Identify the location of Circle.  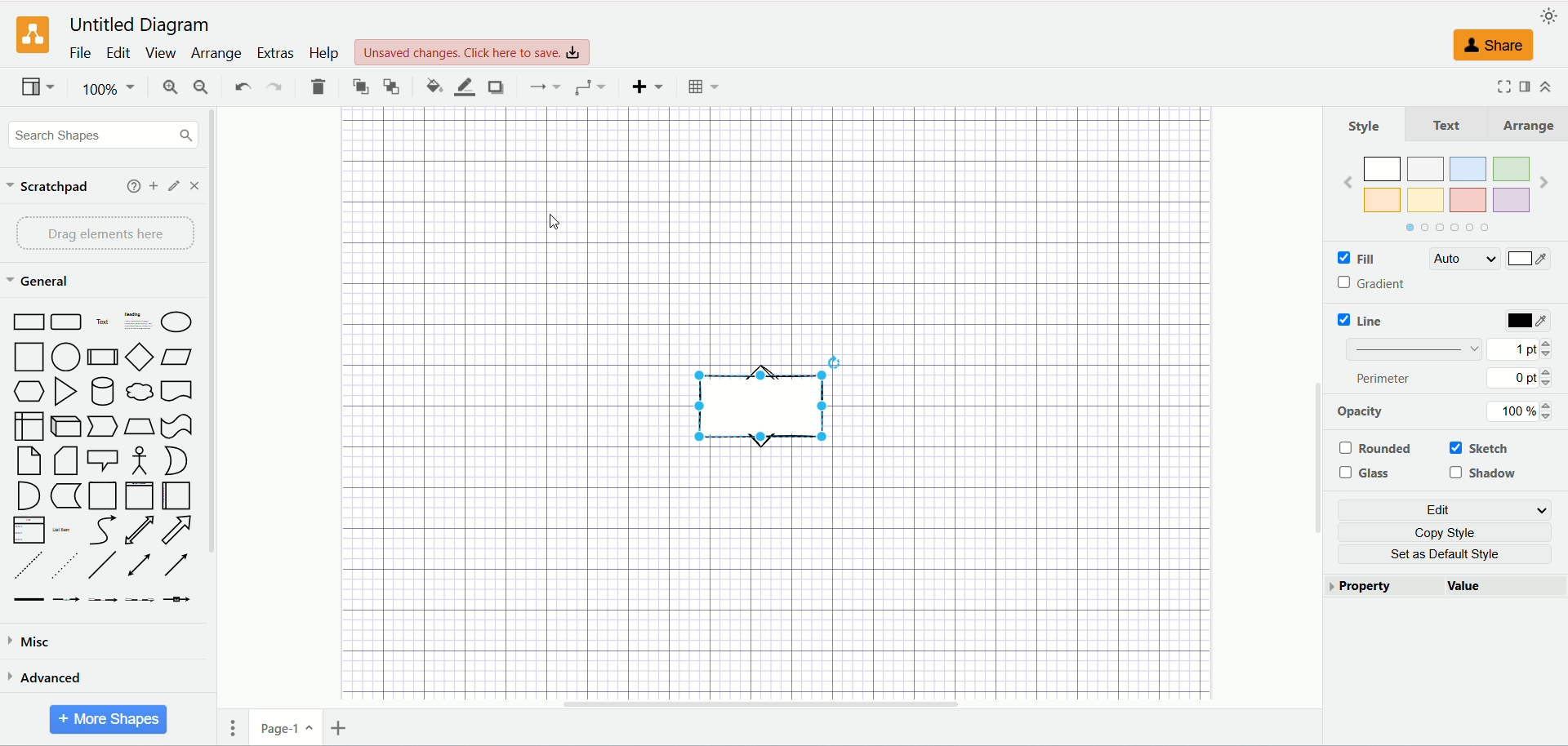
(65, 357).